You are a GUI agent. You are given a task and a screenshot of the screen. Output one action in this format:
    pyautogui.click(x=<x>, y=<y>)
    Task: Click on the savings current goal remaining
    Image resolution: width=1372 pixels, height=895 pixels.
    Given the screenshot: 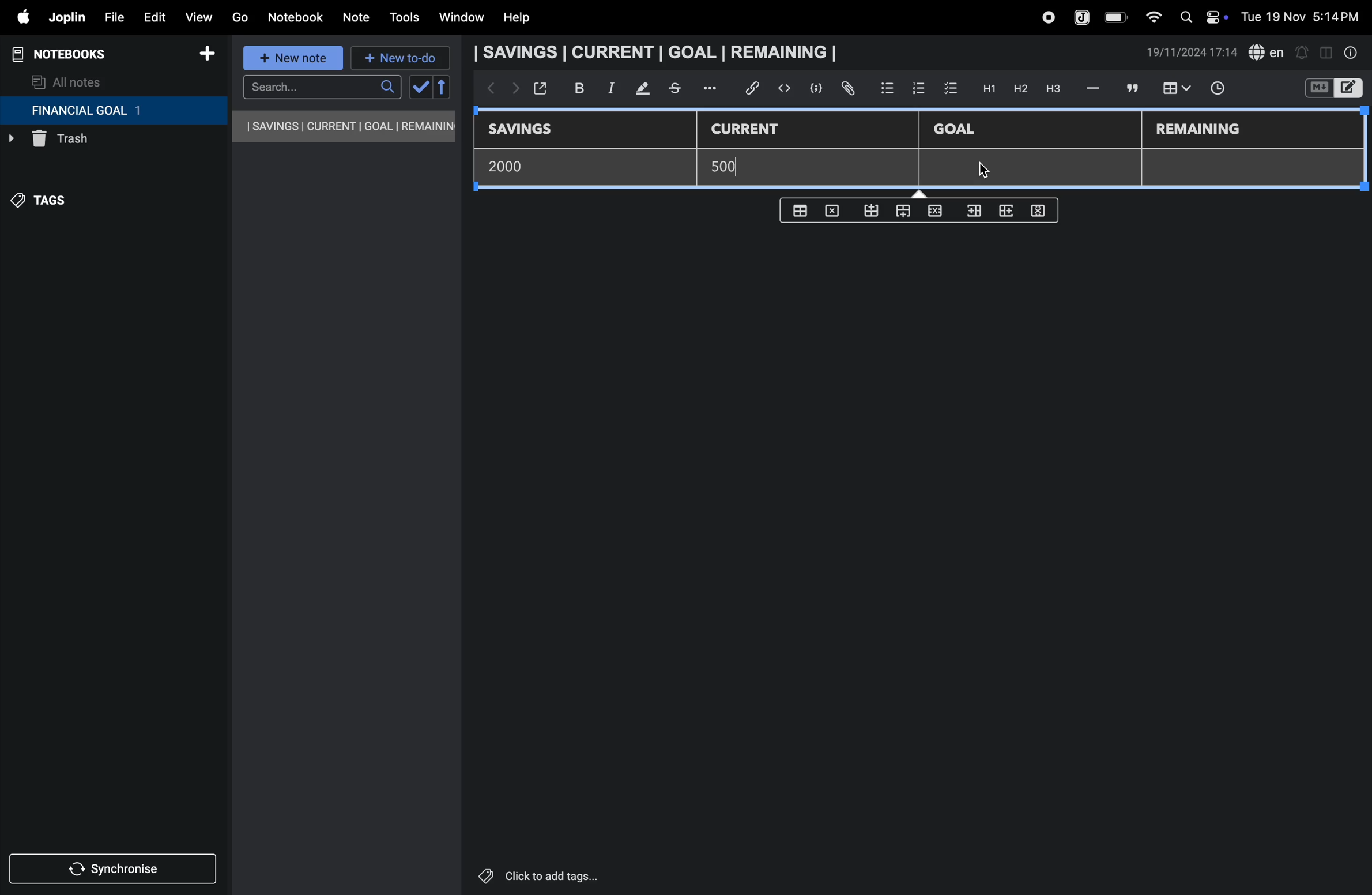 What is the action you would take?
    pyautogui.click(x=659, y=52)
    